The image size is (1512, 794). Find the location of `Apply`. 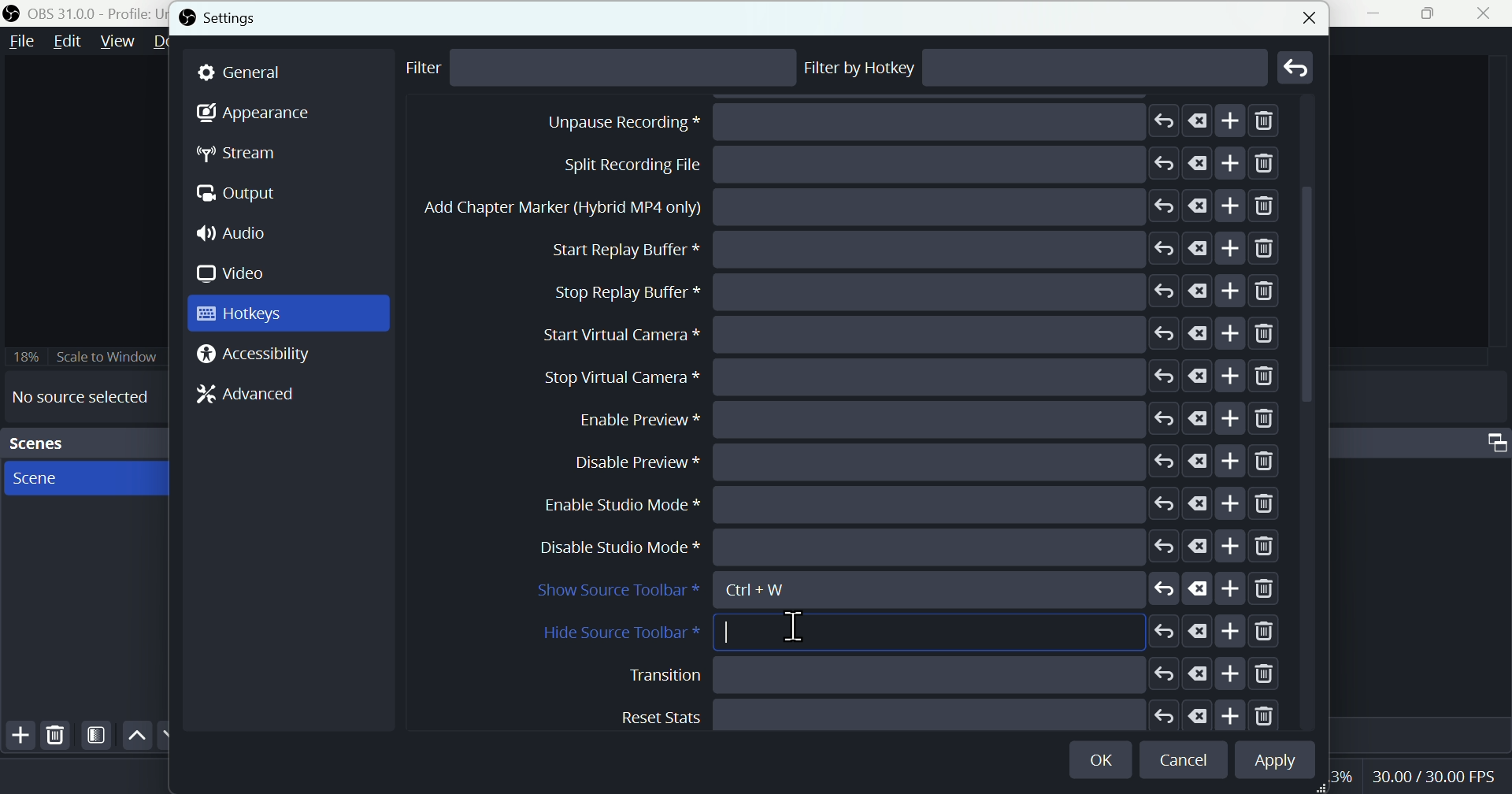

Apply is located at coordinates (1272, 761).